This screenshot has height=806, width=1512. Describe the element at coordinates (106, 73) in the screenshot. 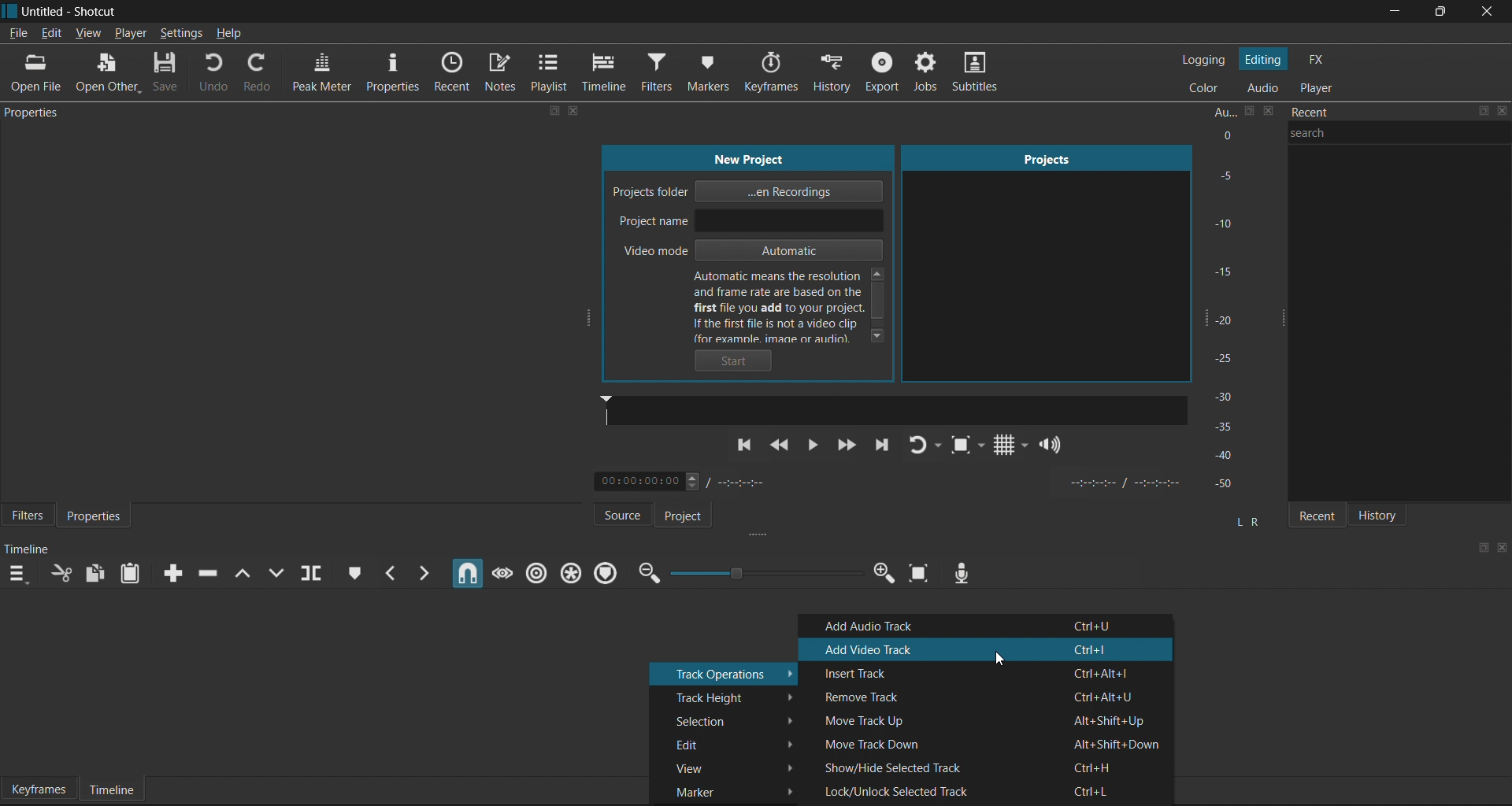

I see `Open Others` at that location.